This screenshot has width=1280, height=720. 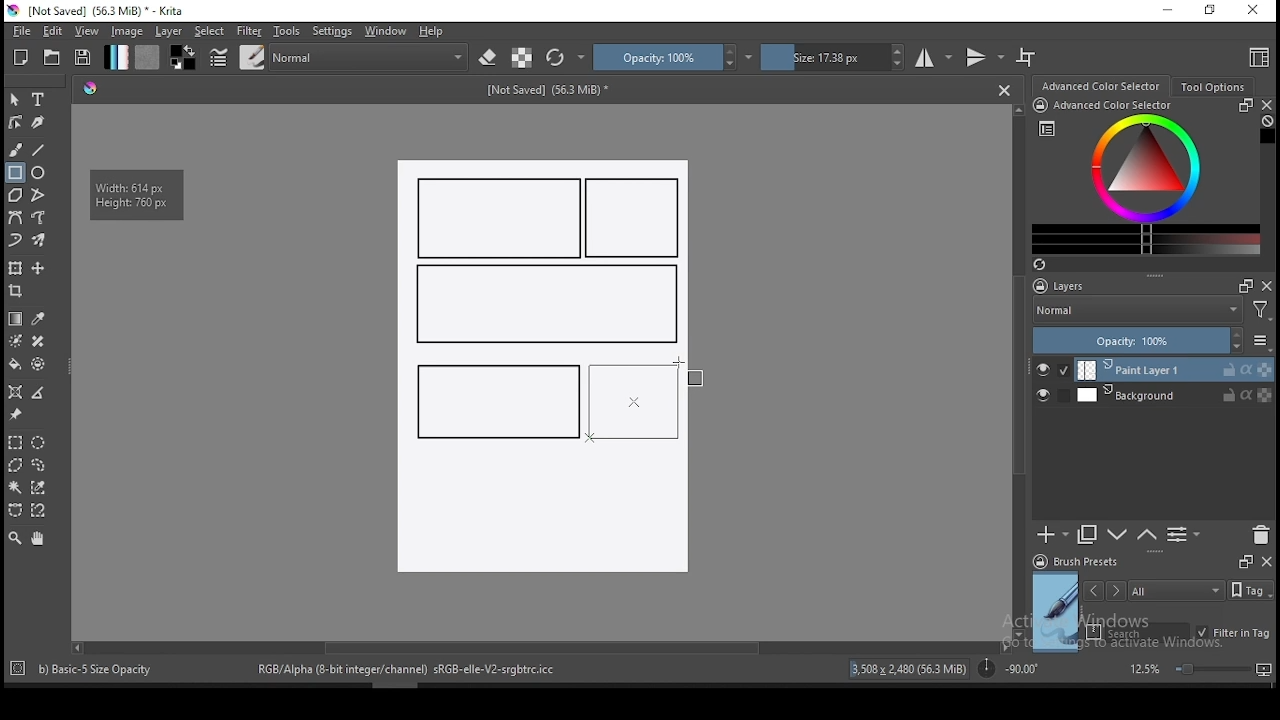 What do you see at coordinates (1183, 534) in the screenshot?
I see `view or change layer properties` at bounding box center [1183, 534].